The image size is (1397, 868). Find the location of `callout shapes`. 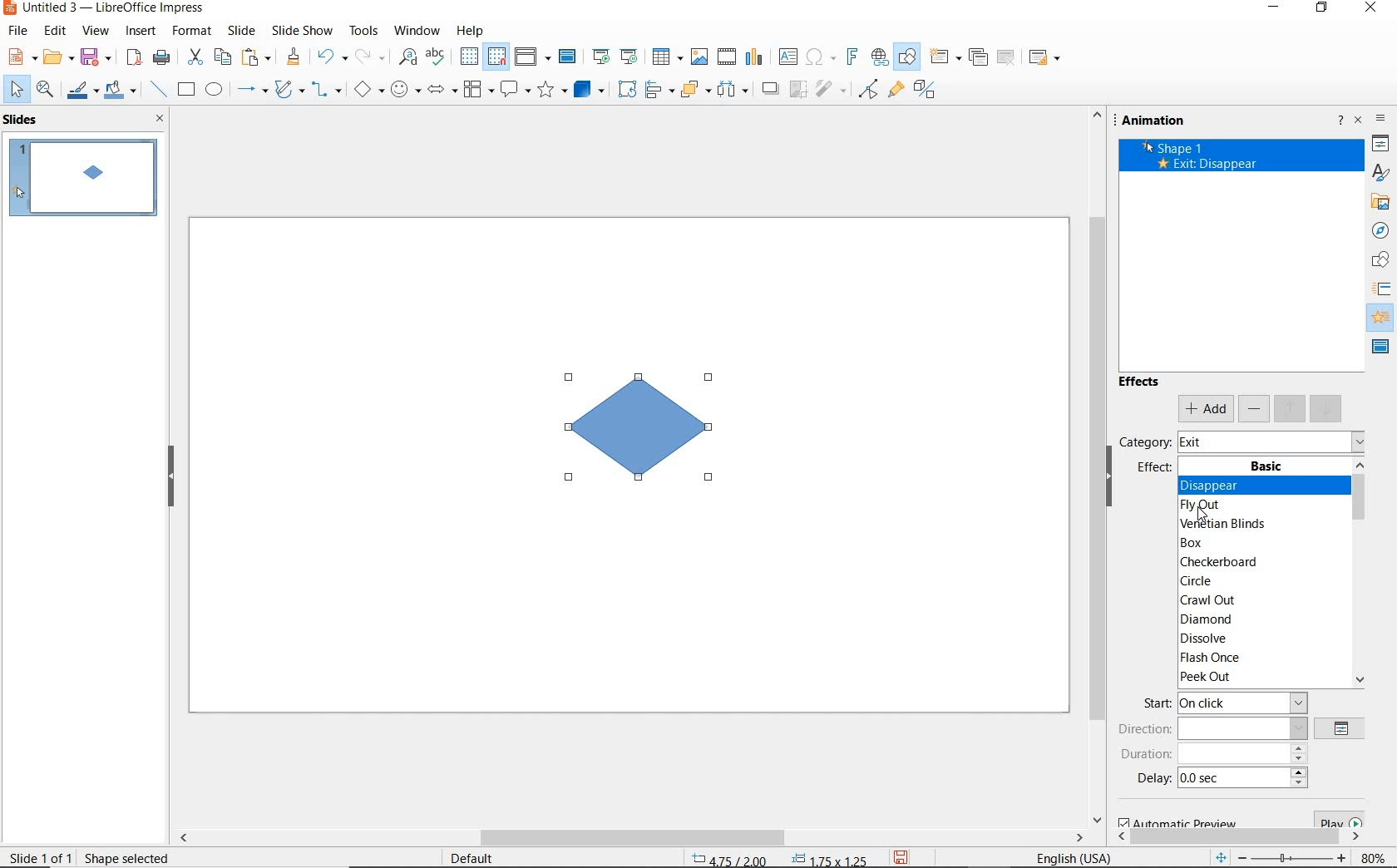

callout shapes is located at coordinates (516, 89).